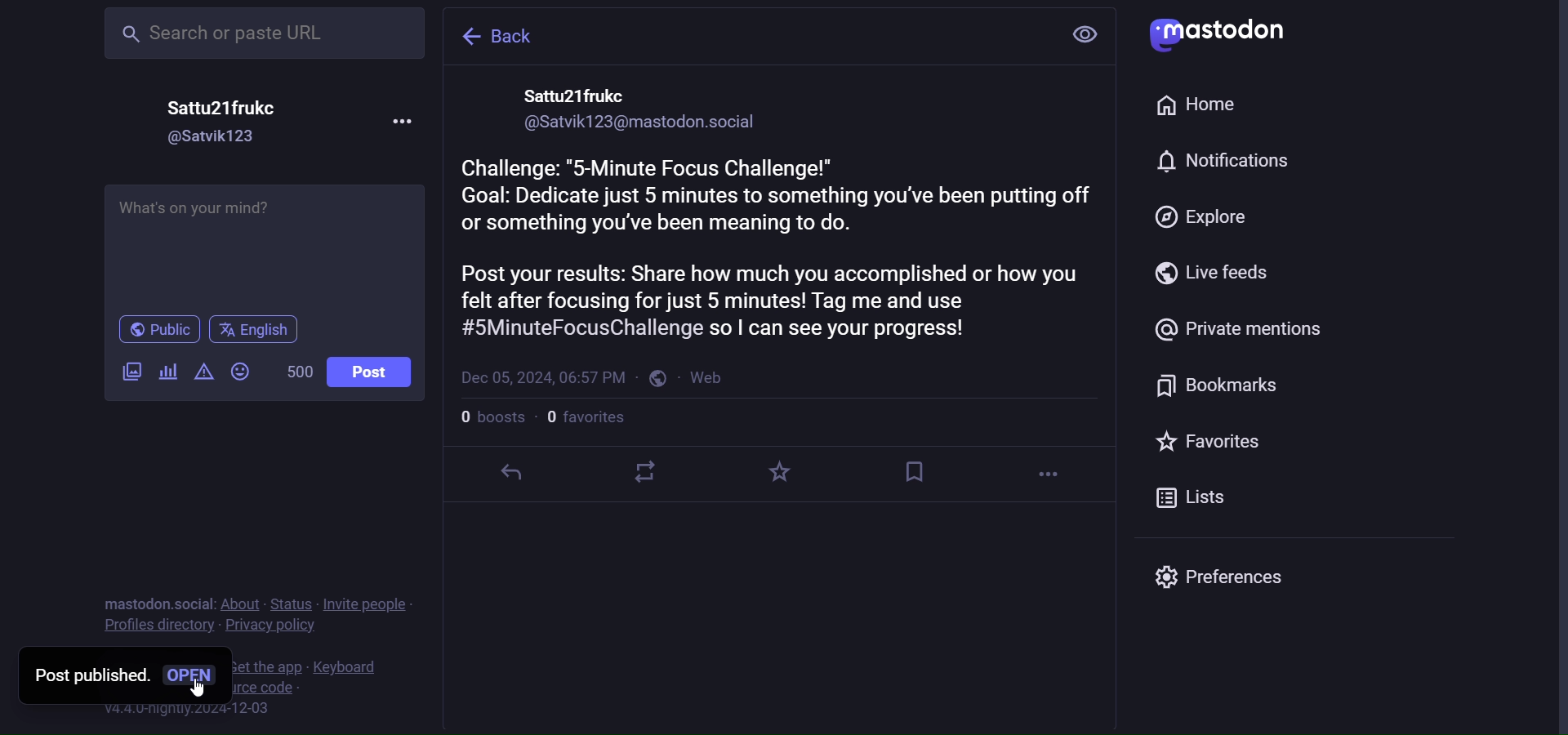 The height and width of the screenshot is (735, 1568). Describe the element at coordinates (243, 601) in the screenshot. I see `about` at that location.